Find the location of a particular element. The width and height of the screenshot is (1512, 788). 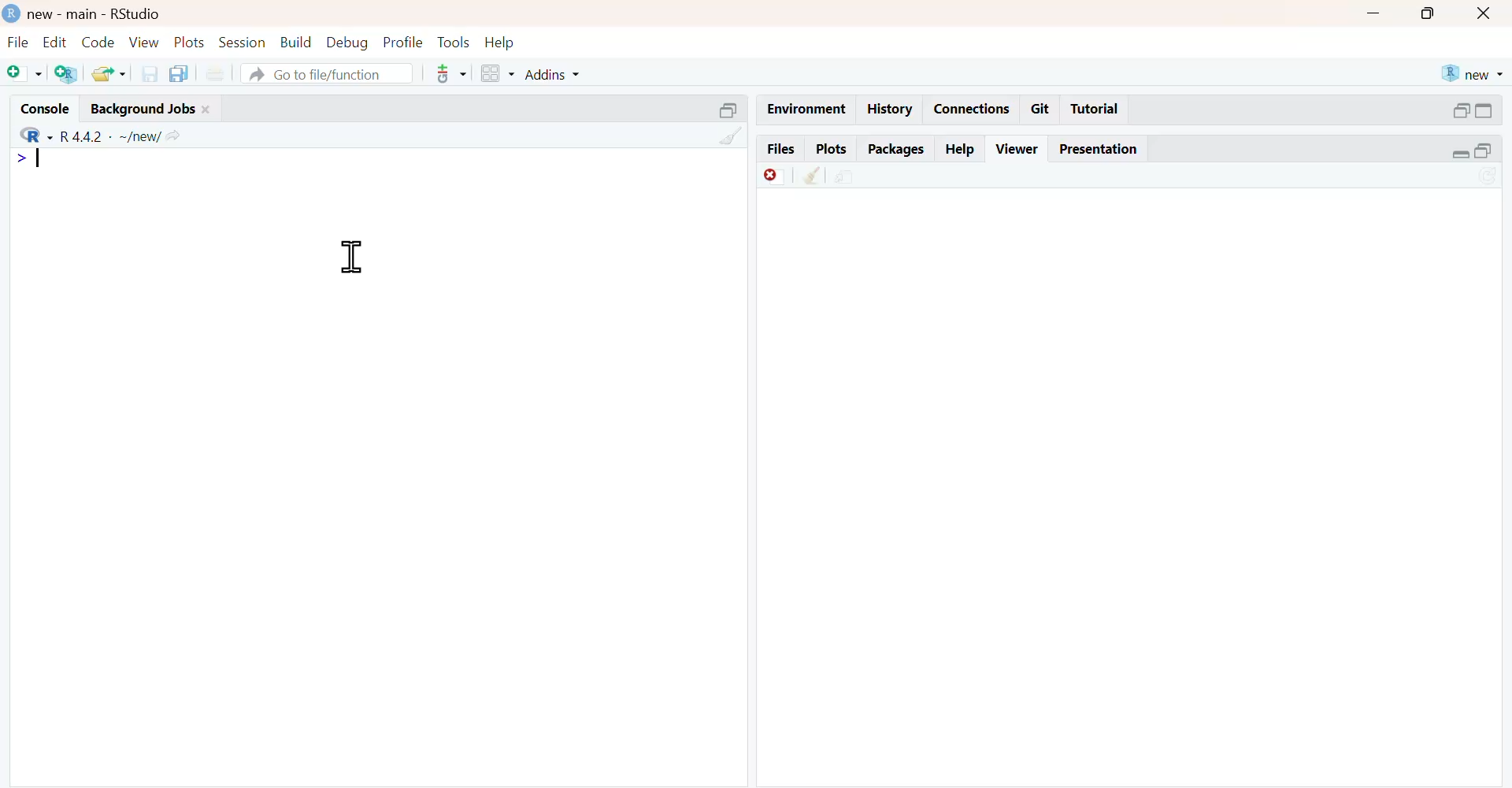

addins is located at coordinates (552, 75).